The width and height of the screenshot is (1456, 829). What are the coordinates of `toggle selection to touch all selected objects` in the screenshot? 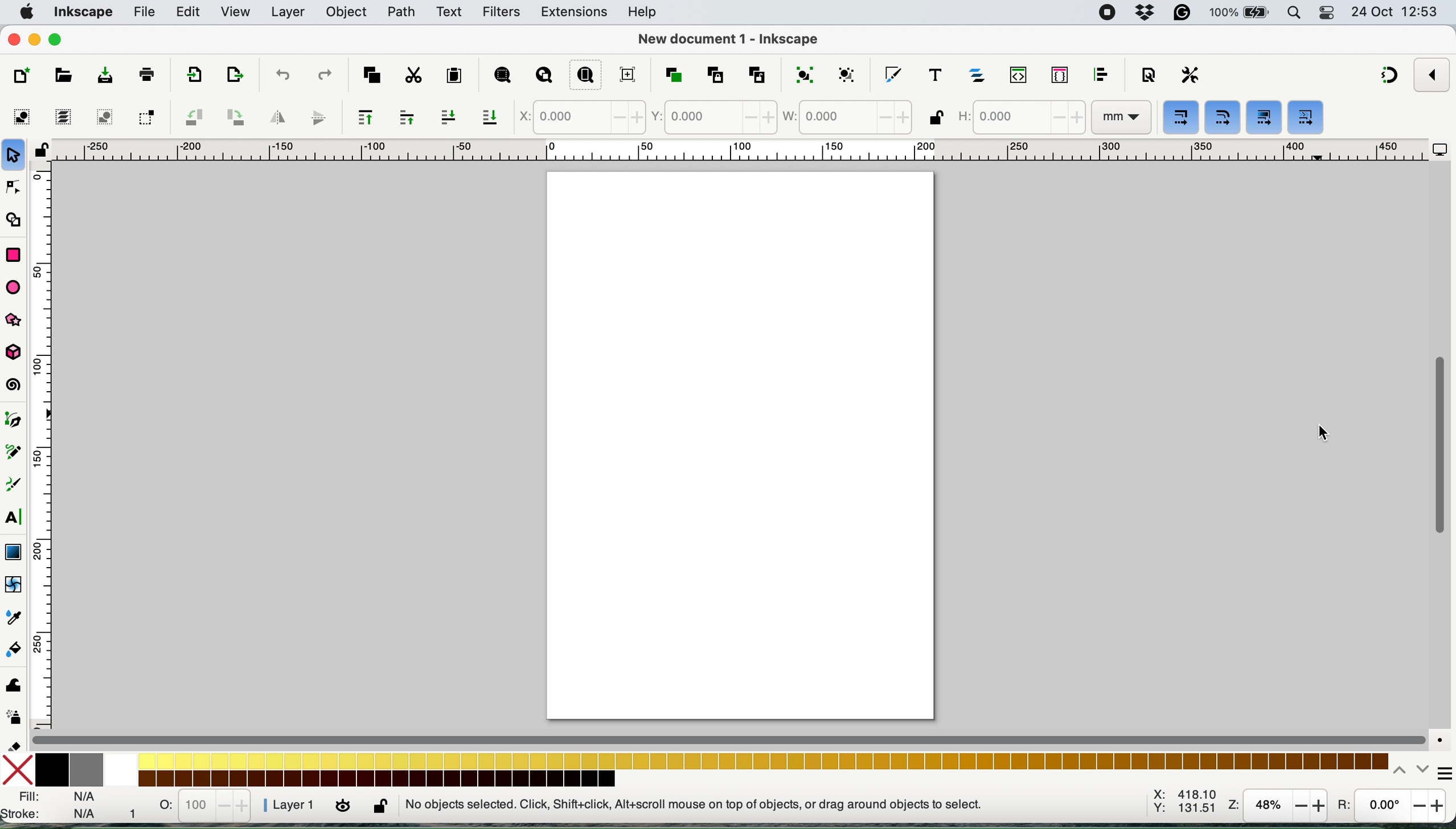 It's located at (144, 116).